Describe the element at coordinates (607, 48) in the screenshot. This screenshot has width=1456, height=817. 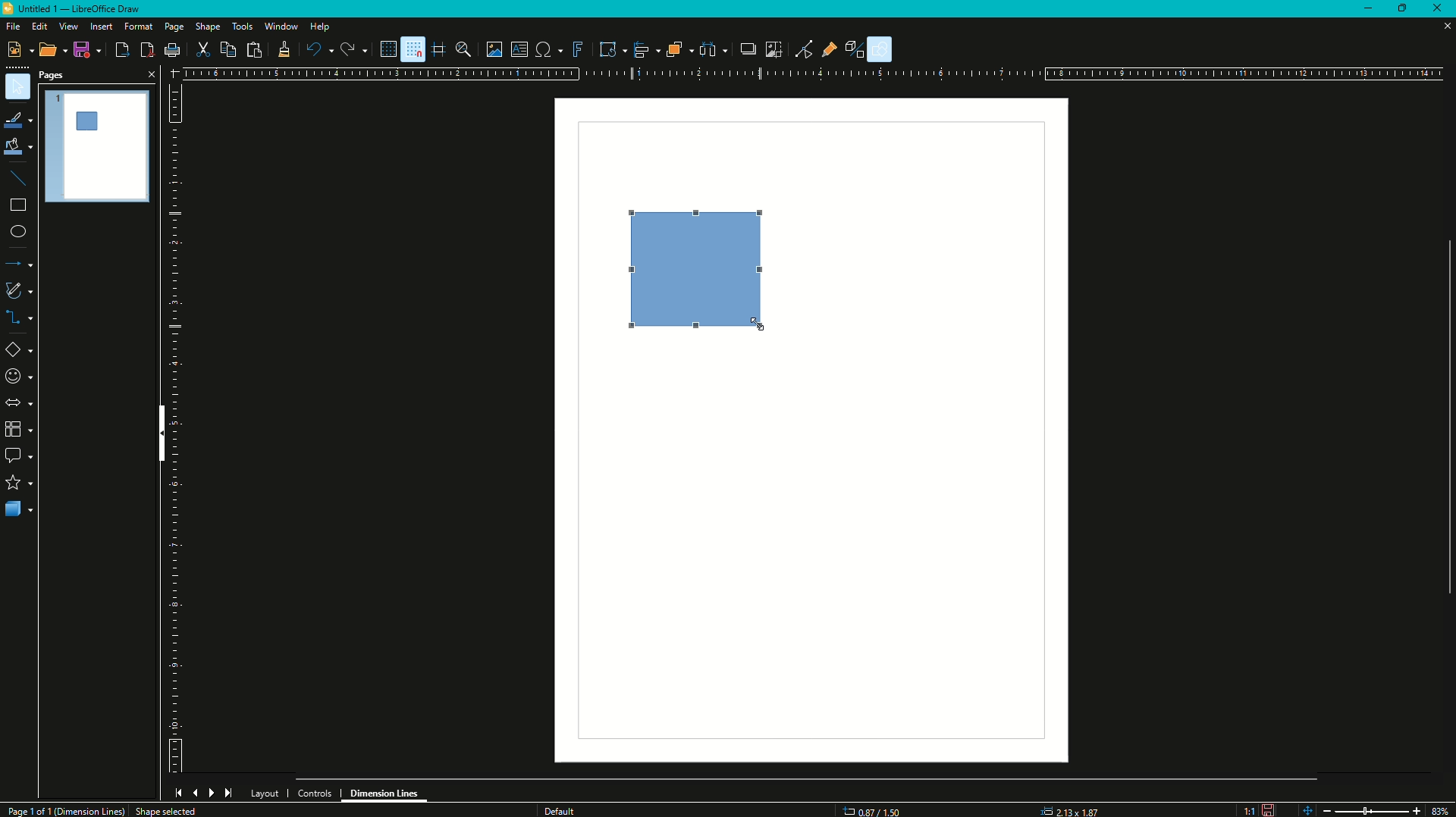
I see `Transformations` at that location.